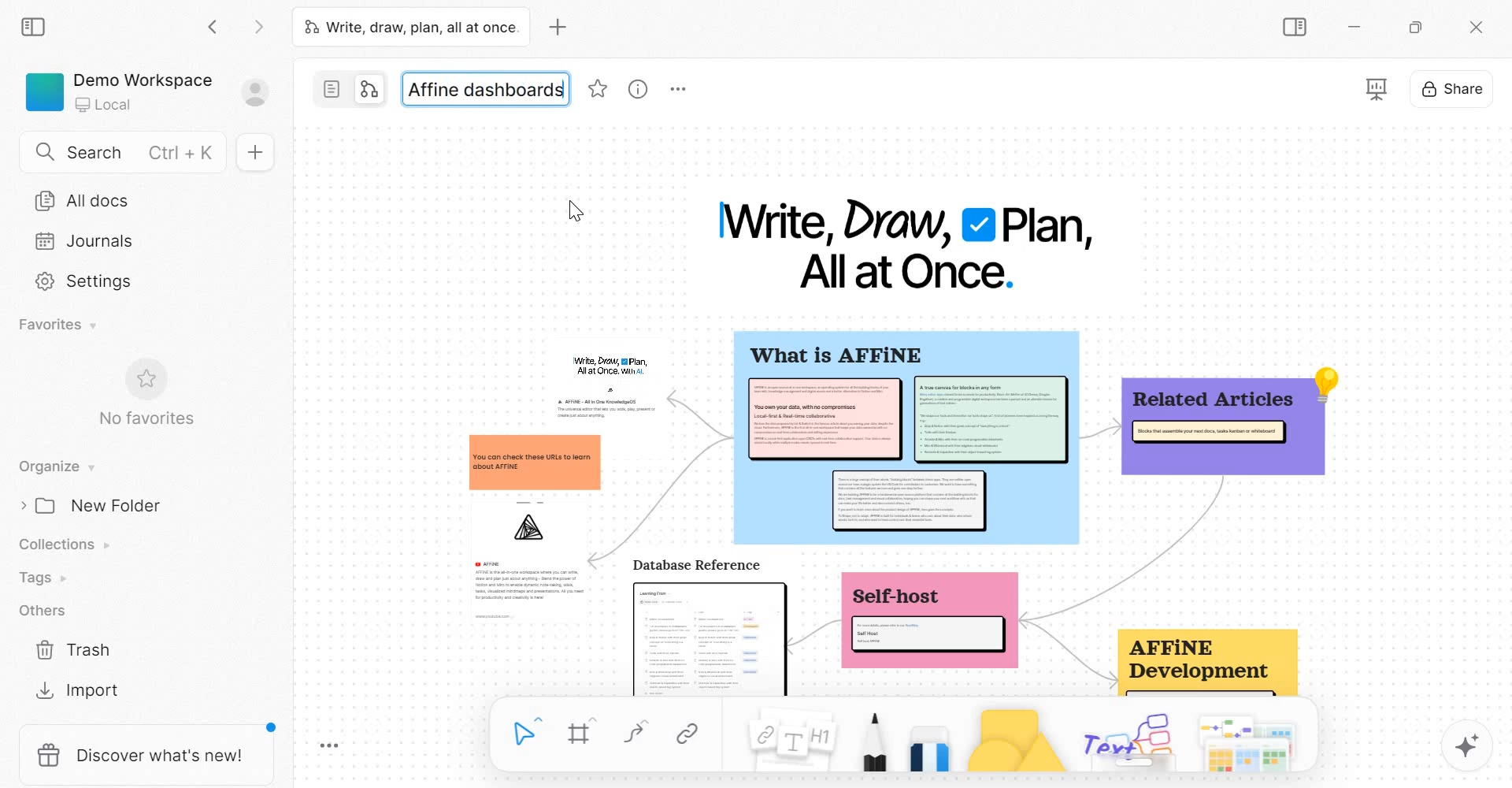 The width and height of the screenshot is (1512, 788). I want to click on favorite, so click(599, 90).